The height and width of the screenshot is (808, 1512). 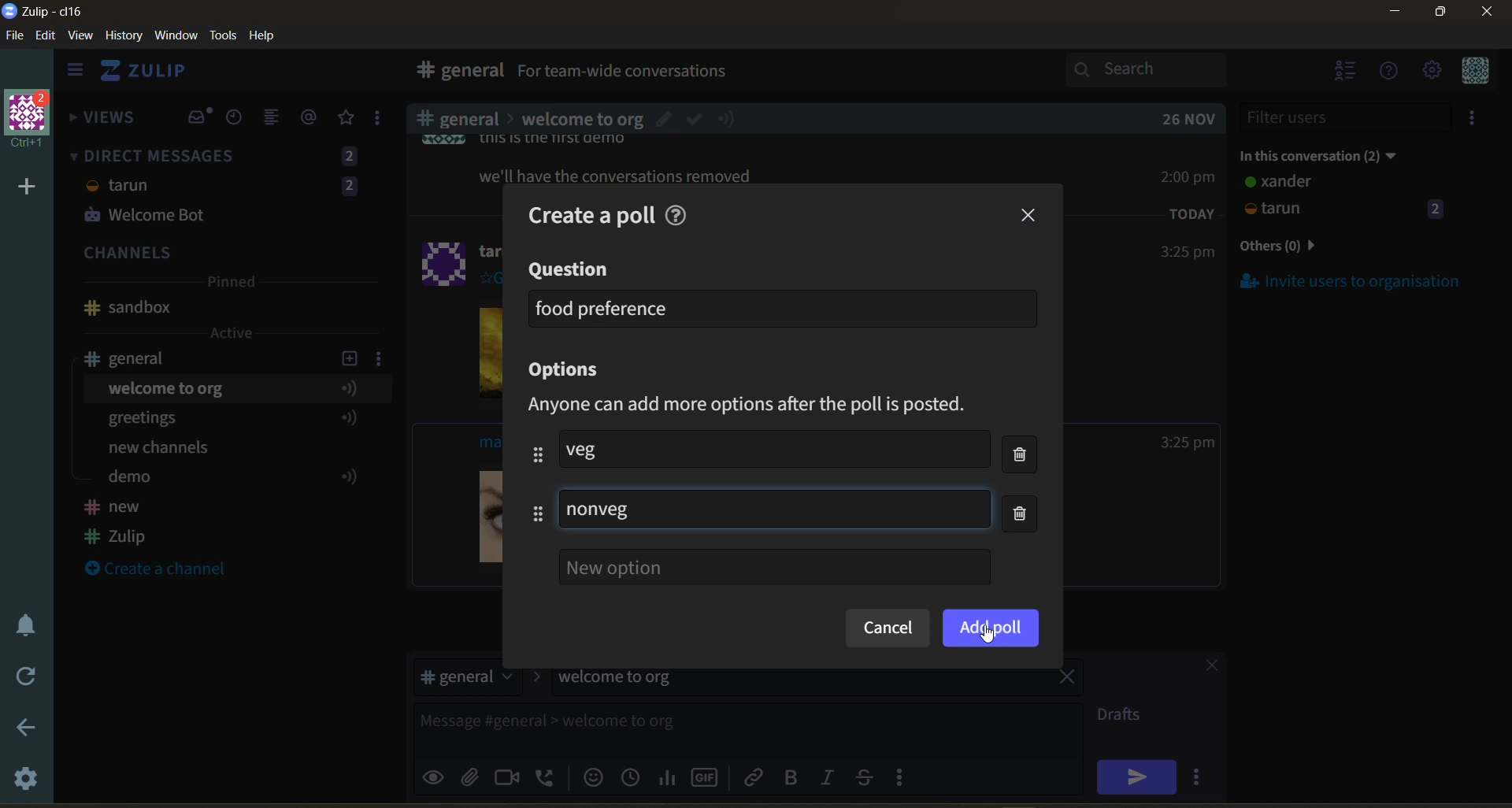 What do you see at coordinates (1189, 119) in the screenshot?
I see `26 nov` at bounding box center [1189, 119].